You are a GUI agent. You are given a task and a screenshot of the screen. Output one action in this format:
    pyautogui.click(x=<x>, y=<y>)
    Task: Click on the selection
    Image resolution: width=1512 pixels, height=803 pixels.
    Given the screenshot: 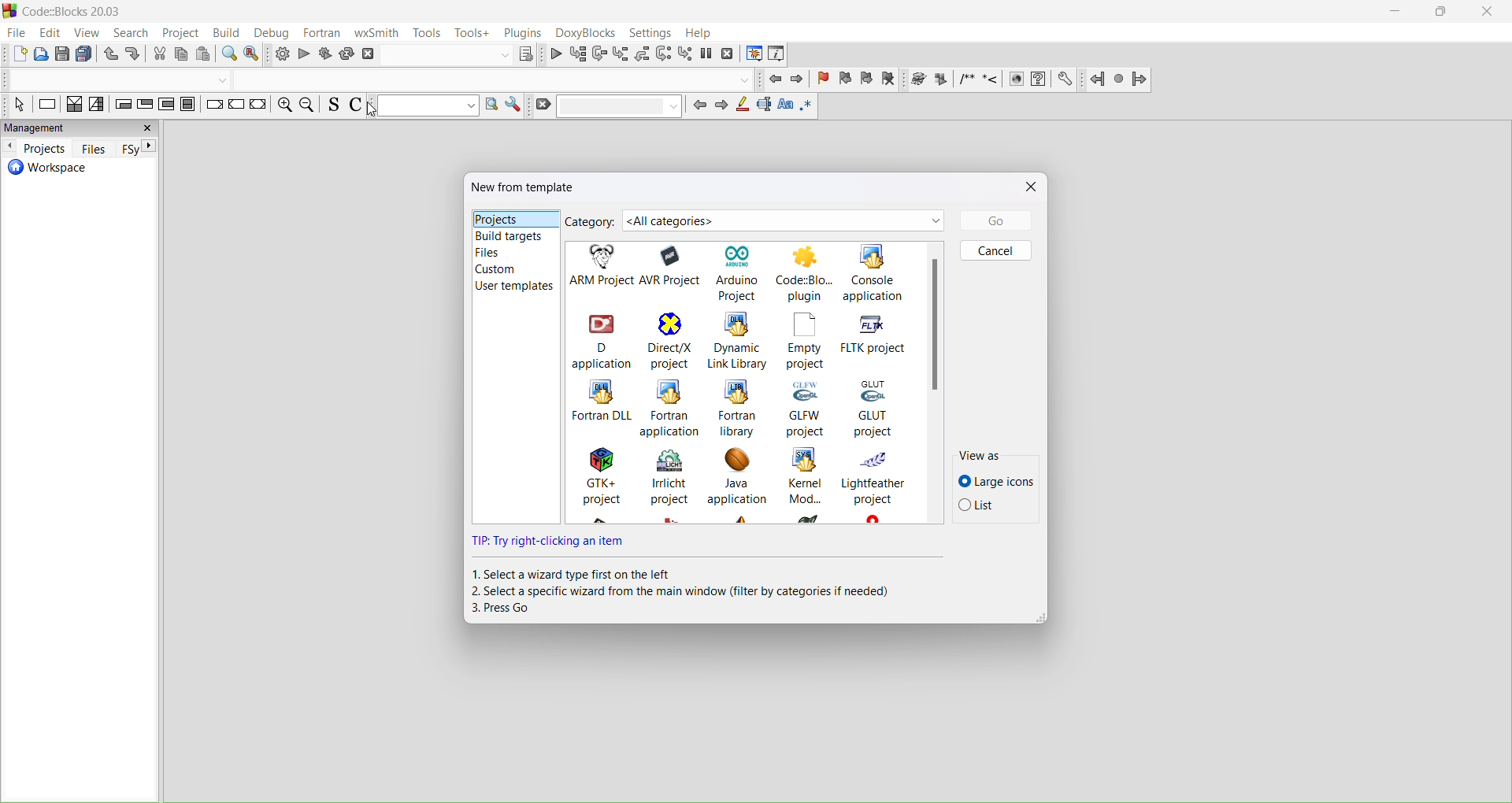 What is the action you would take?
    pyautogui.click(x=97, y=106)
    